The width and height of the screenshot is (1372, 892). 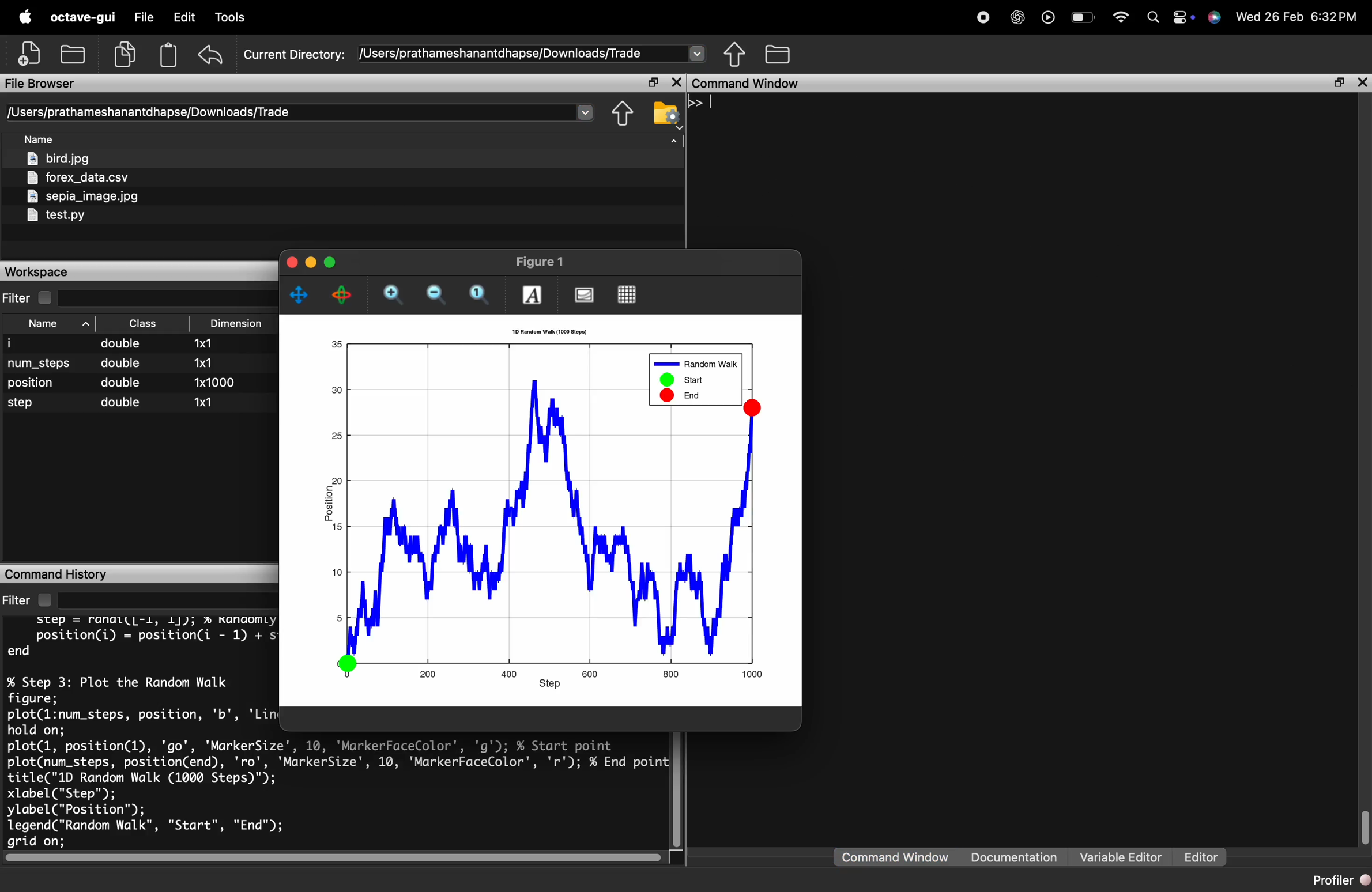 What do you see at coordinates (482, 296) in the screenshot?
I see `zoom` at bounding box center [482, 296].